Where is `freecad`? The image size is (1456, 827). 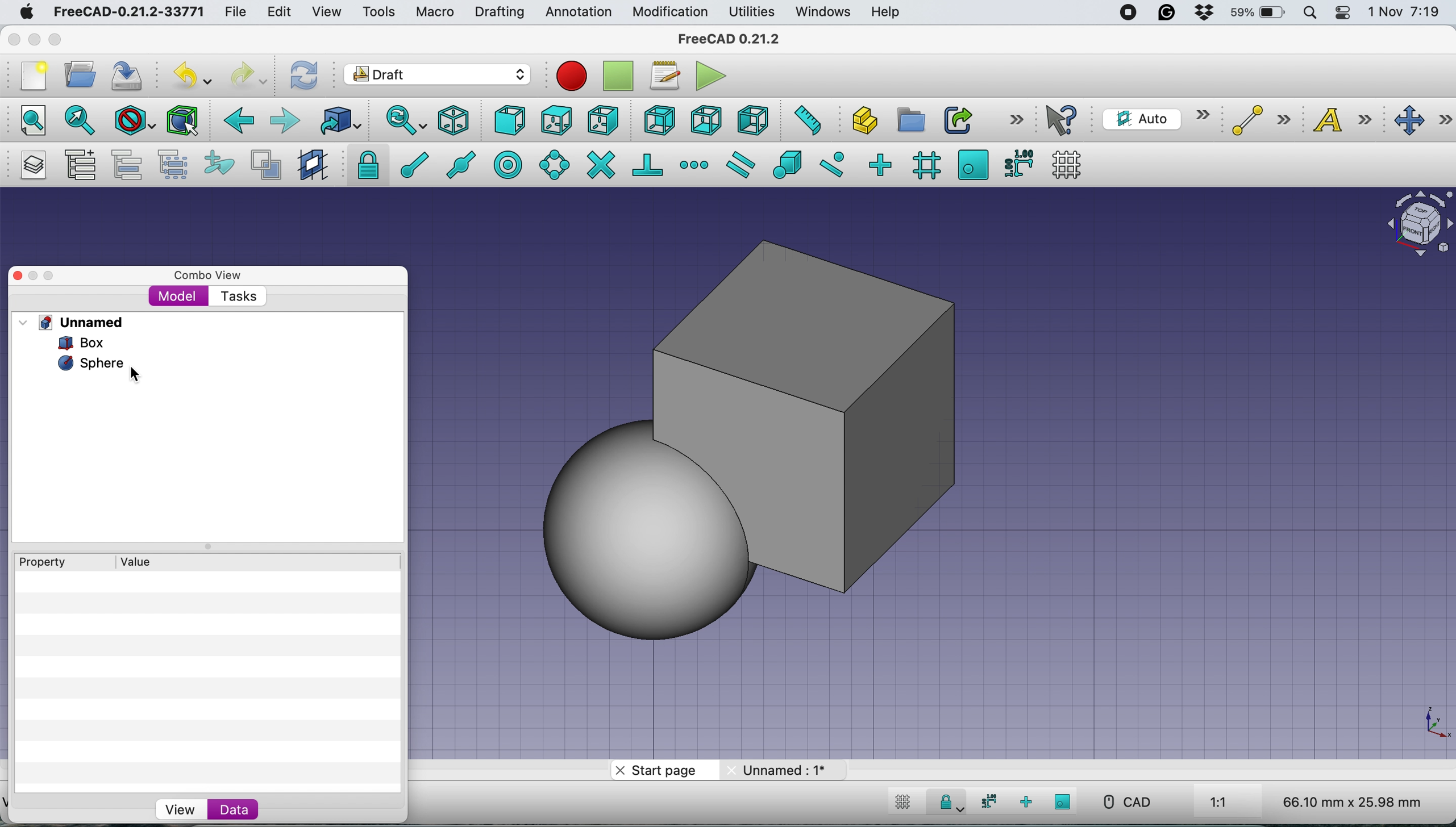
freecad is located at coordinates (128, 12).